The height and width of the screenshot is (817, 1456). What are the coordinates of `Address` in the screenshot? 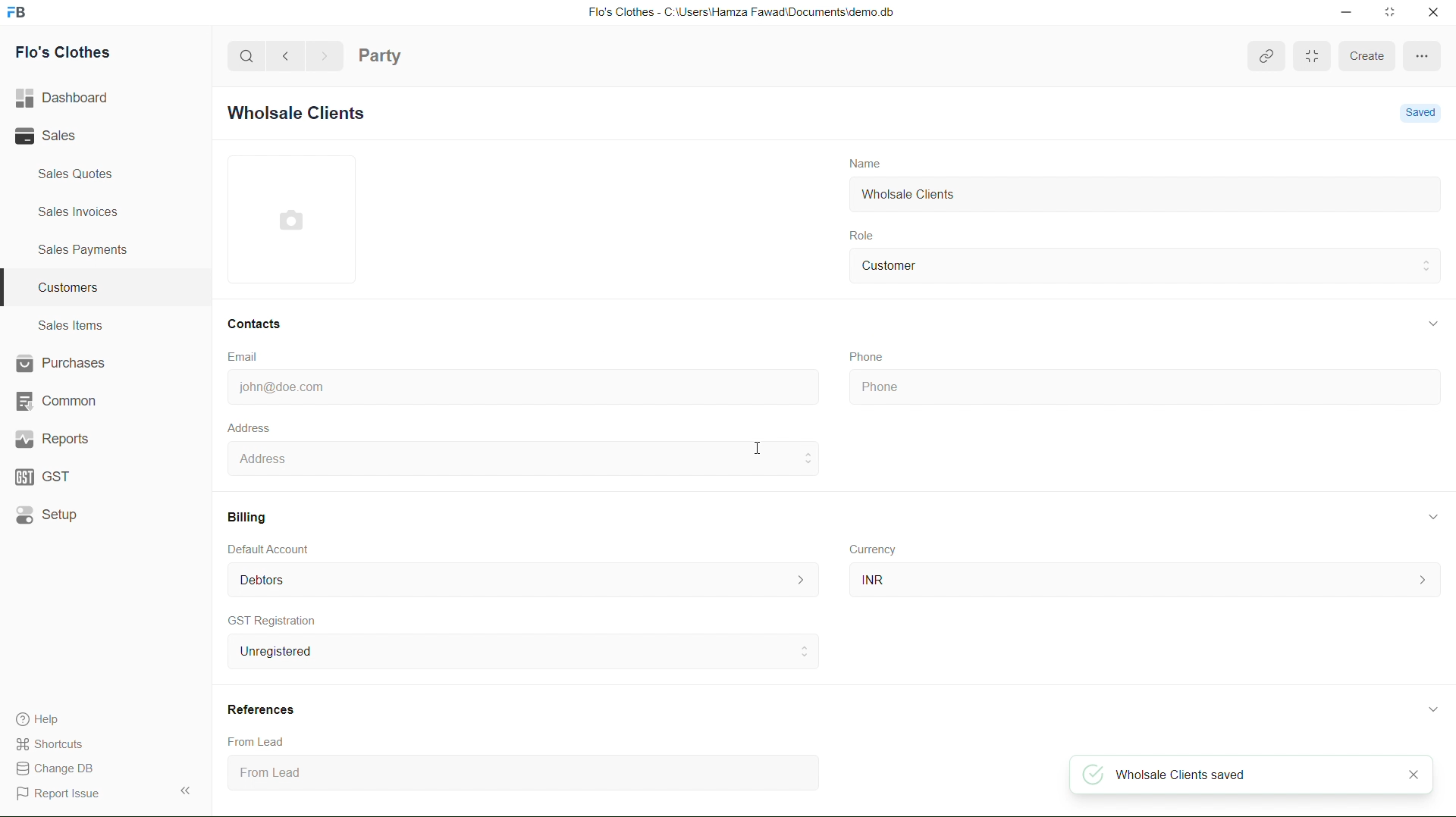 It's located at (249, 426).